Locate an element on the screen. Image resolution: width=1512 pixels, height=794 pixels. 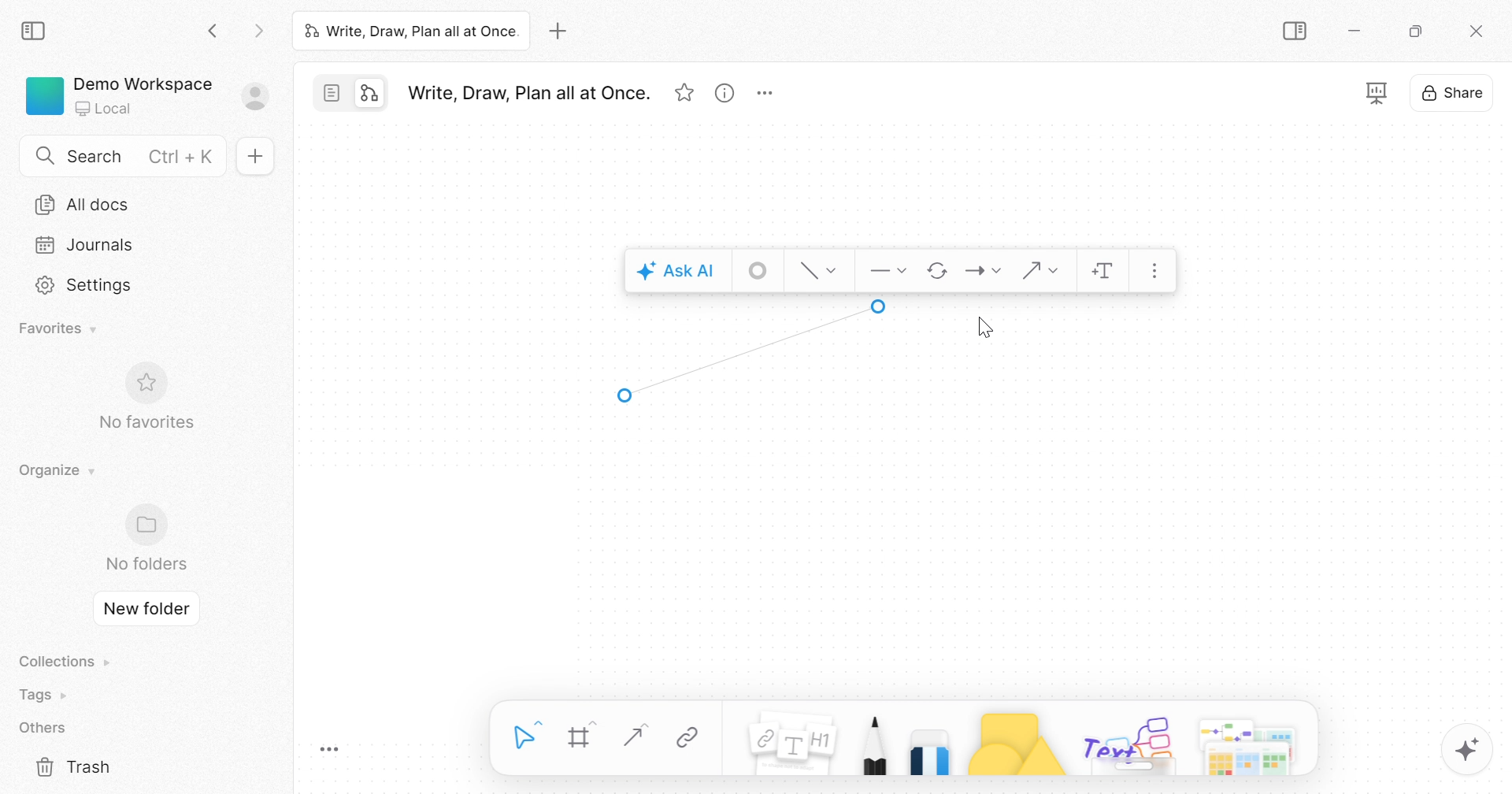
Close is located at coordinates (1477, 33).